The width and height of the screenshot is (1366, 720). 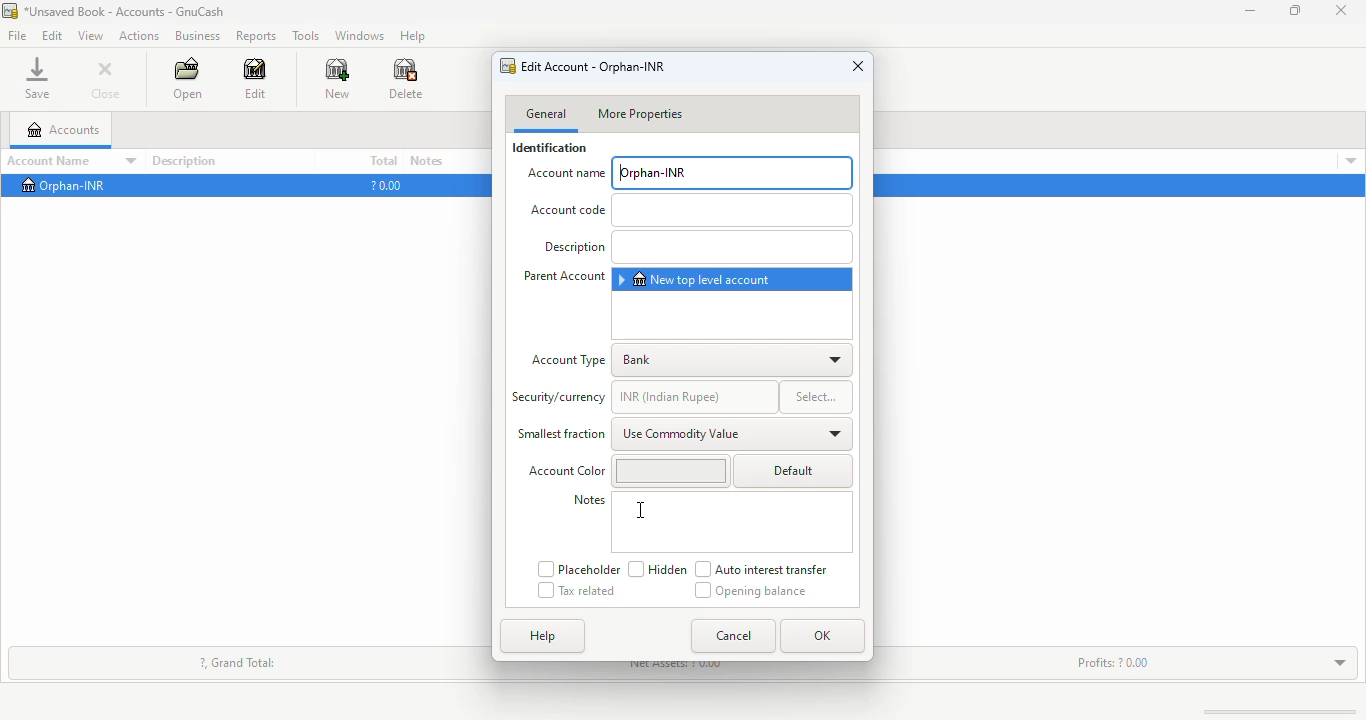 What do you see at coordinates (559, 397) in the screenshot?
I see `security/currency` at bounding box center [559, 397].